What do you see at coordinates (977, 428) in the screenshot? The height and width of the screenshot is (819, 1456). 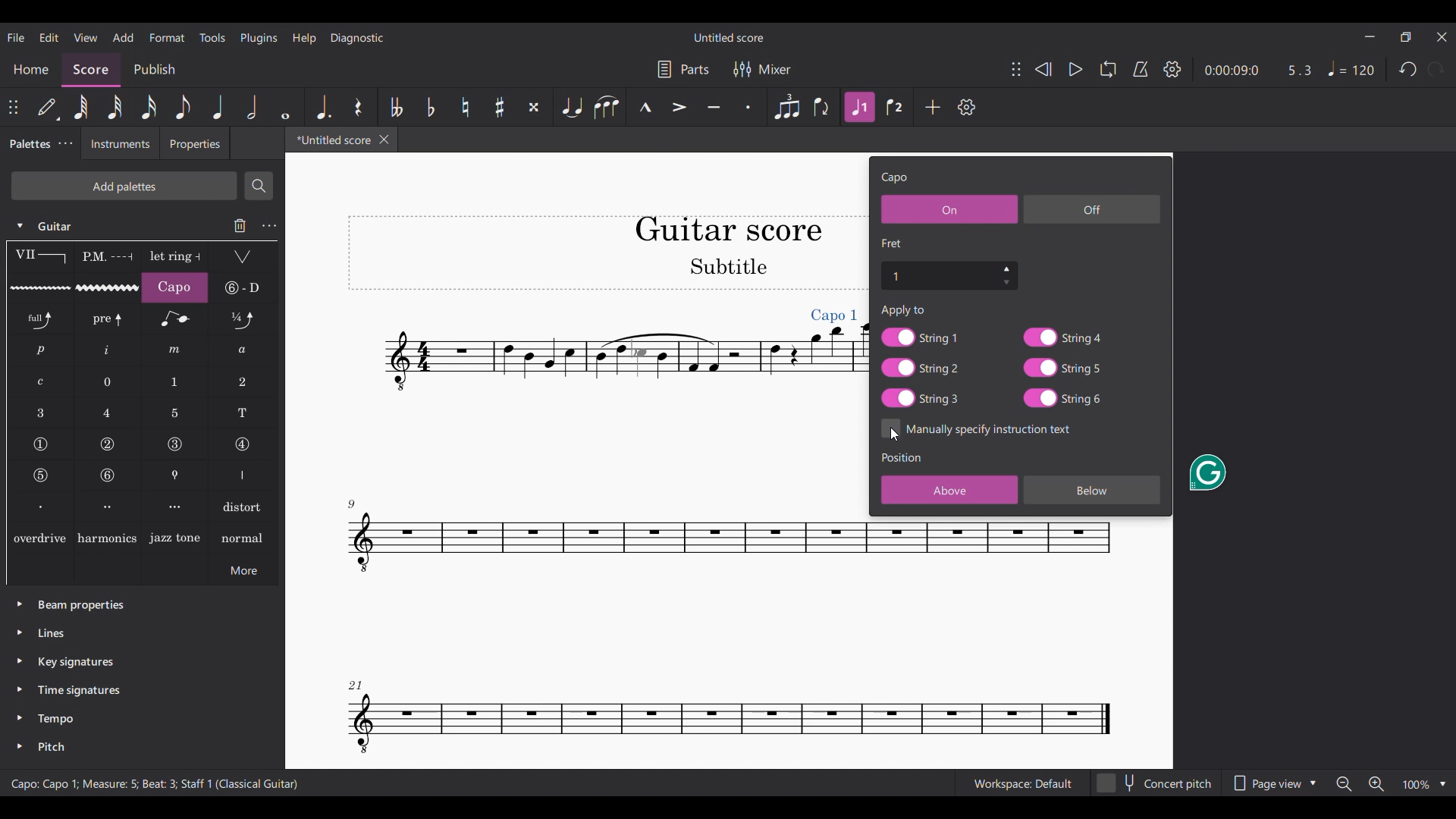 I see `Toggle for specific instruction` at bounding box center [977, 428].